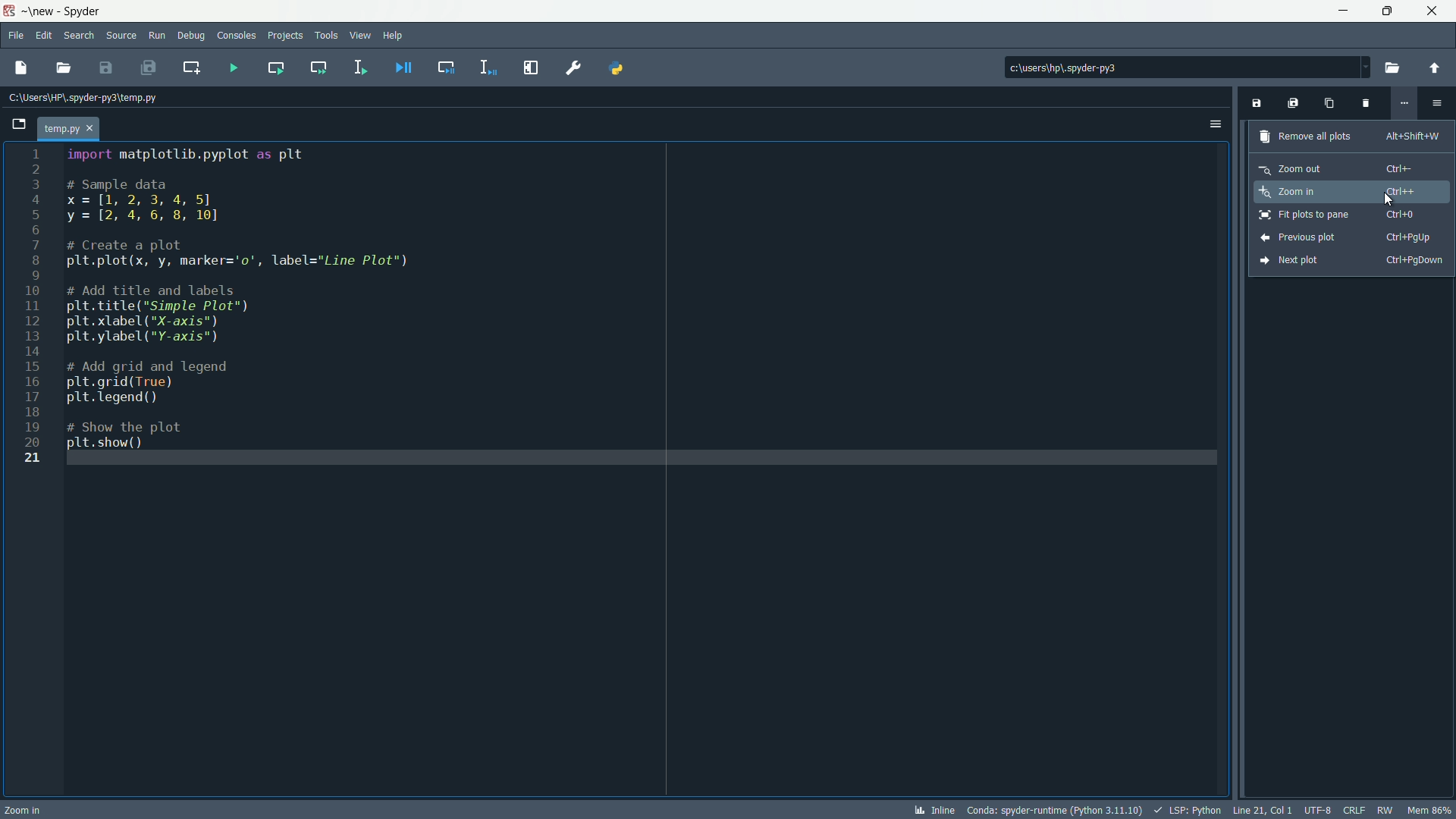  Describe the element at coordinates (1433, 10) in the screenshot. I see `close` at that location.